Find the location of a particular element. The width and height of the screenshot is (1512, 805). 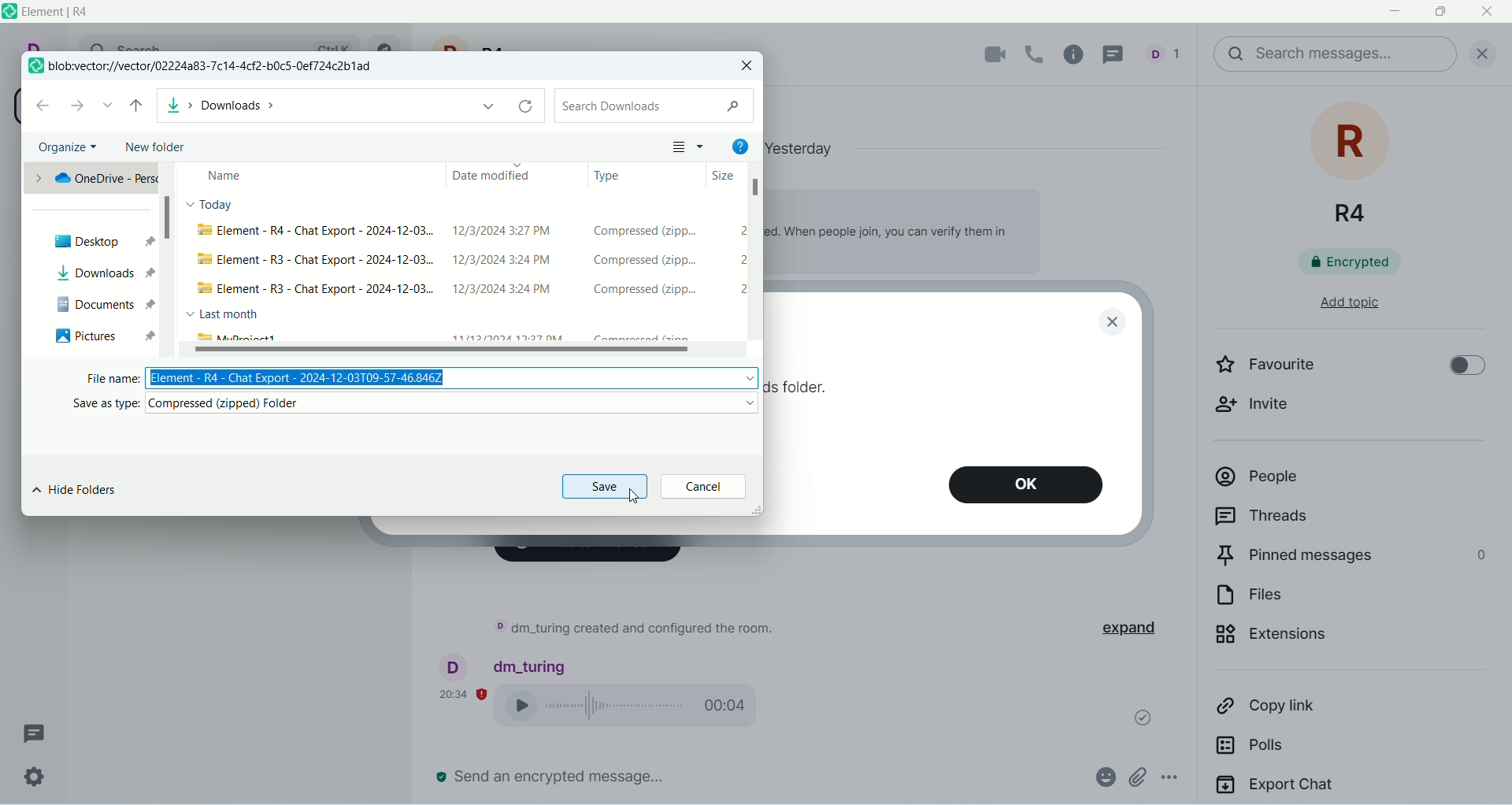

new folder is located at coordinates (157, 148).